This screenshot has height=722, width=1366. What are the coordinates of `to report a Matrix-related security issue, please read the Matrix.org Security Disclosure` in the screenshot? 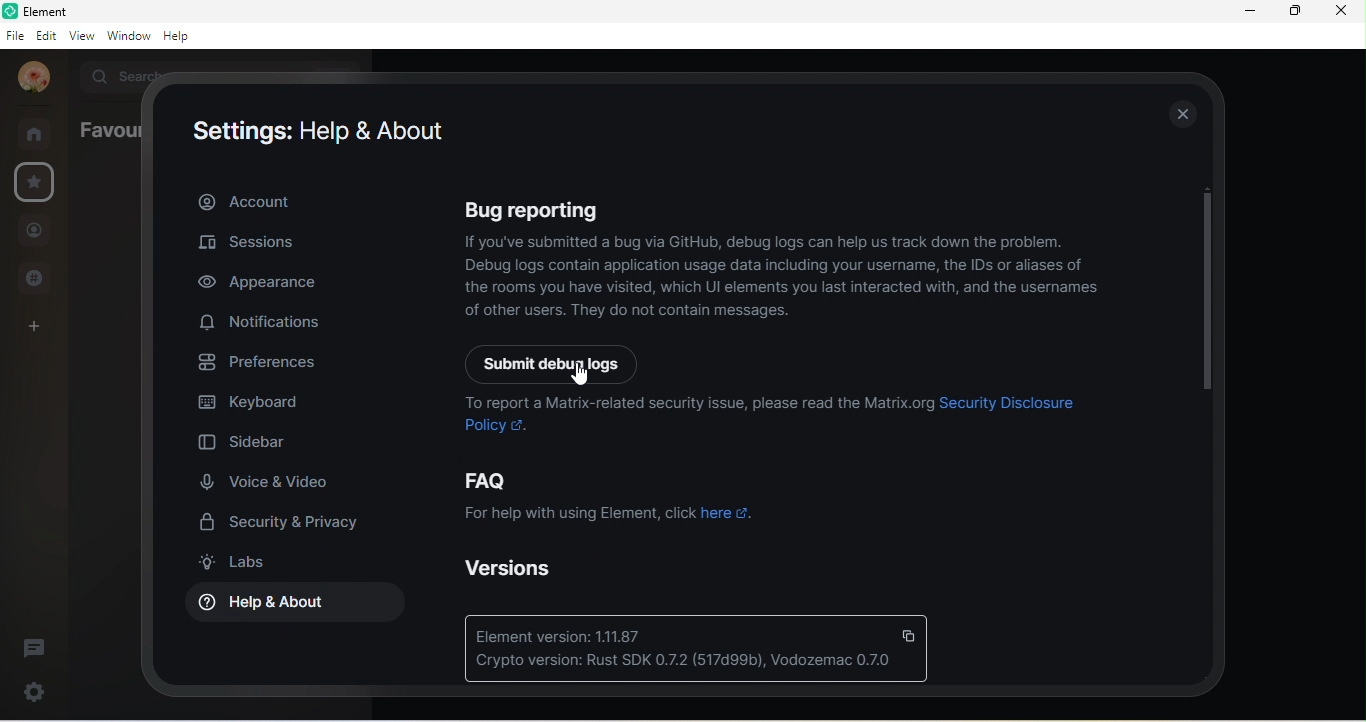 It's located at (783, 405).